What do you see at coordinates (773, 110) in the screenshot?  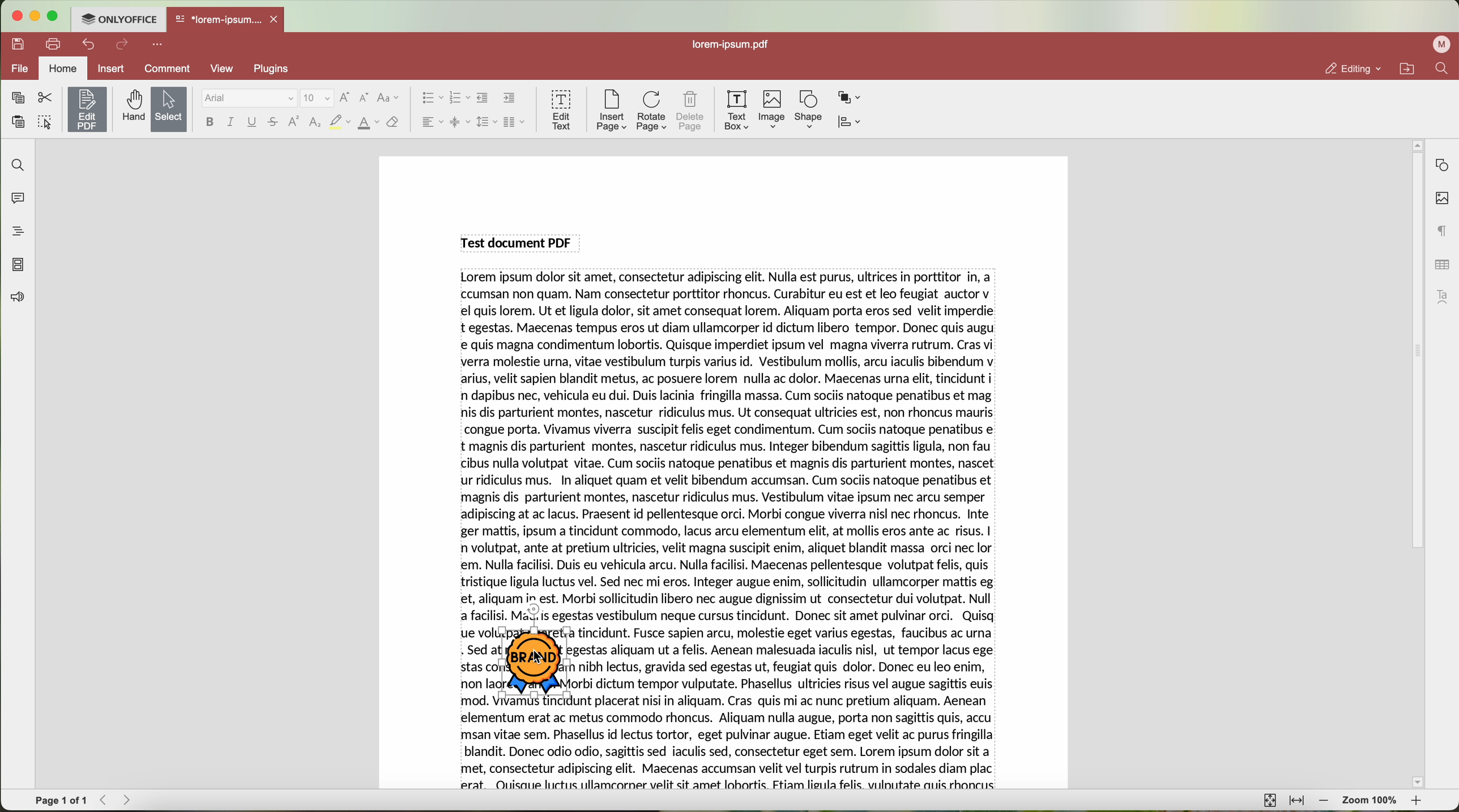 I see `Image` at bounding box center [773, 110].